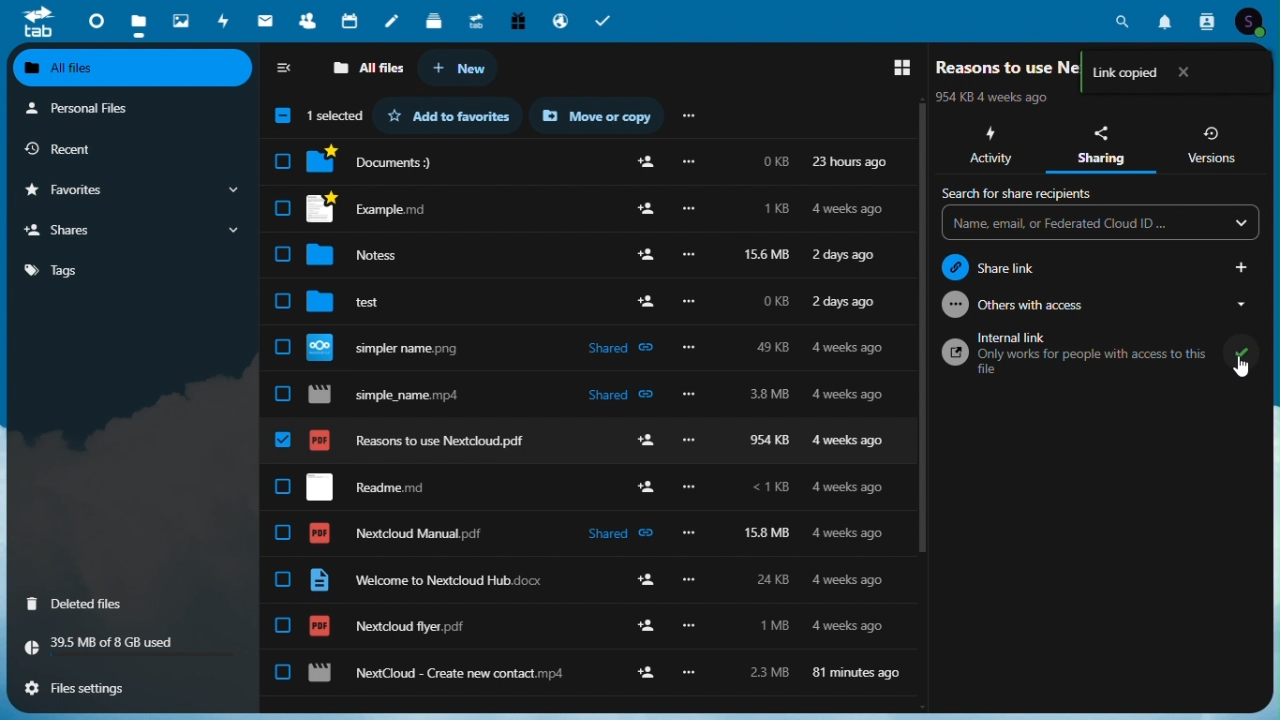 This screenshot has width=1280, height=720. Describe the element at coordinates (281, 208) in the screenshot. I see `` at that location.